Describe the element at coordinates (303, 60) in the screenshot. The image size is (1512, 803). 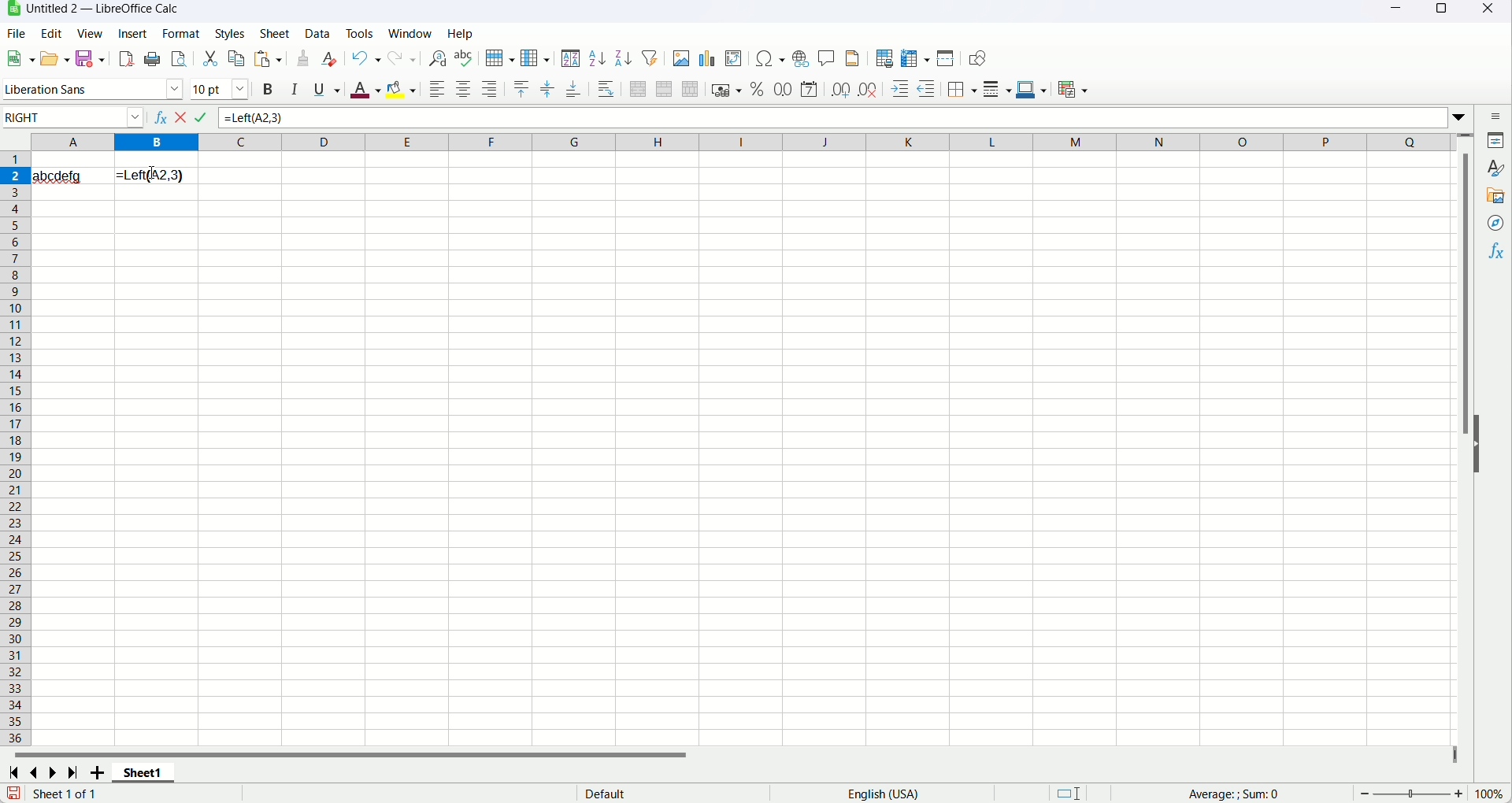
I see `clone formatting` at that location.